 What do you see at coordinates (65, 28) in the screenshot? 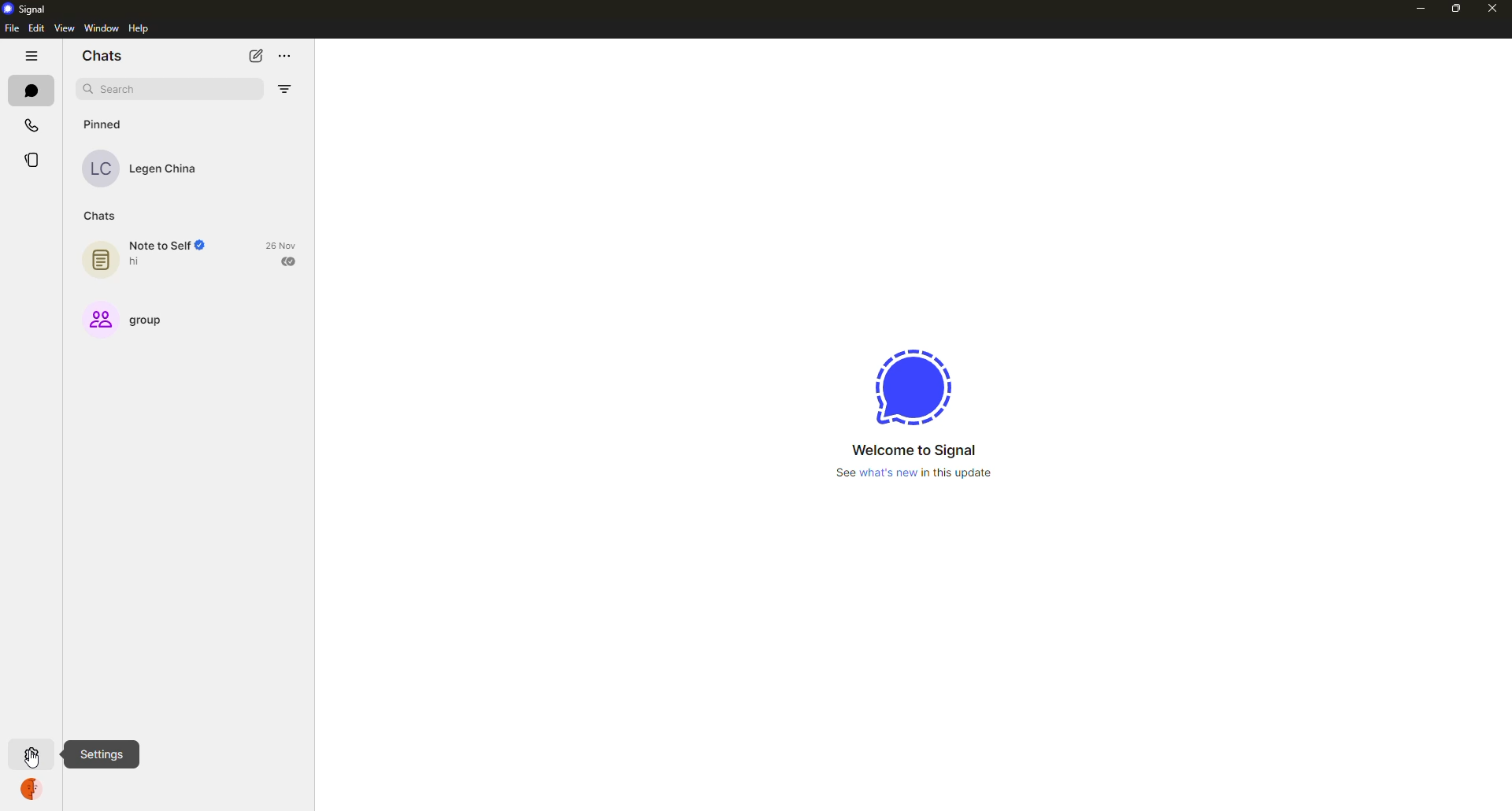
I see `view` at bounding box center [65, 28].